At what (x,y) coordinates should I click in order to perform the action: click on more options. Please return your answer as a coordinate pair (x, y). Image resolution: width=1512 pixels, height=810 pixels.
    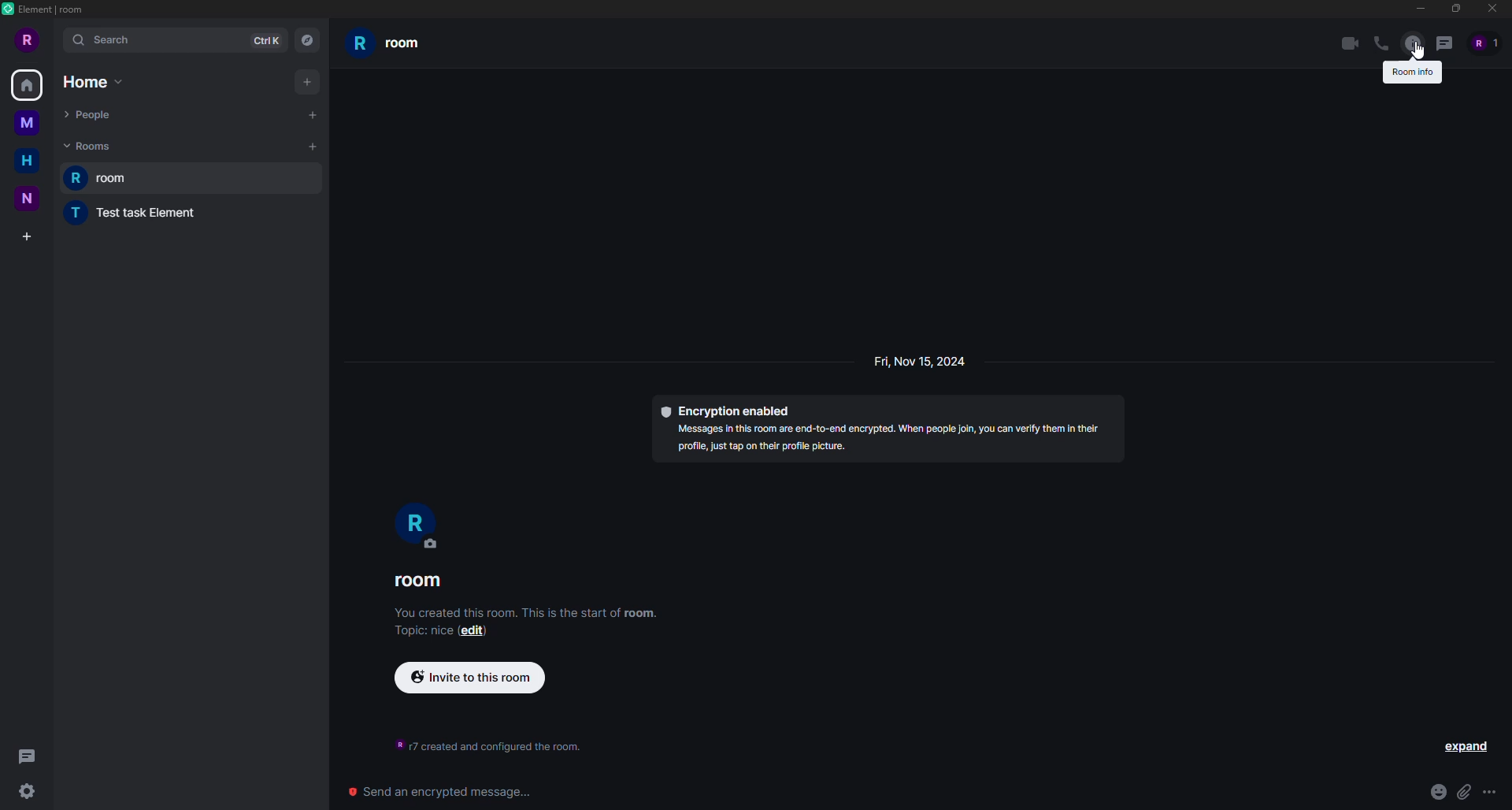
    Looking at the image, I should click on (1492, 790).